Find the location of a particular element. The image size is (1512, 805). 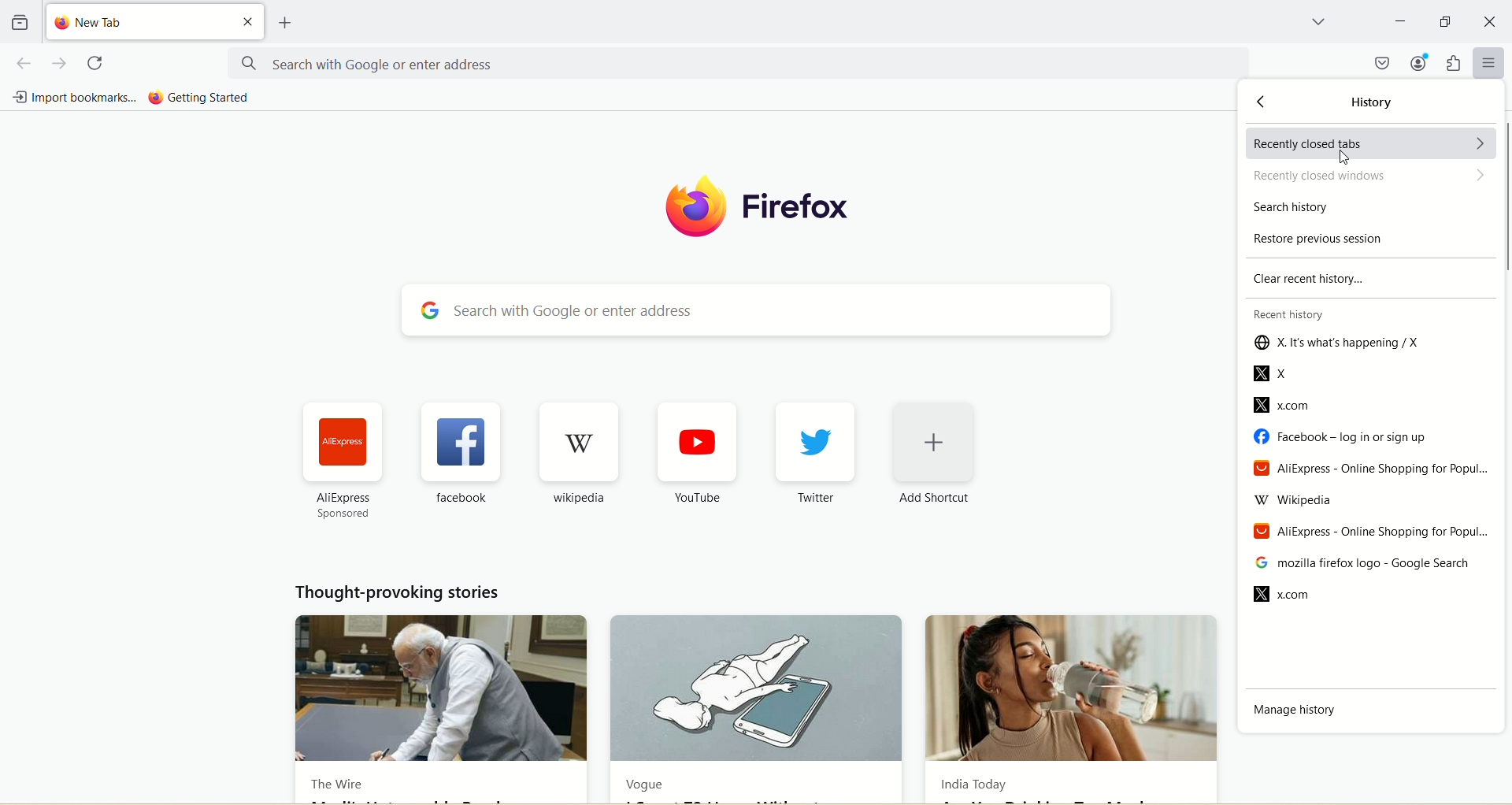

reload current page is located at coordinates (98, 63).